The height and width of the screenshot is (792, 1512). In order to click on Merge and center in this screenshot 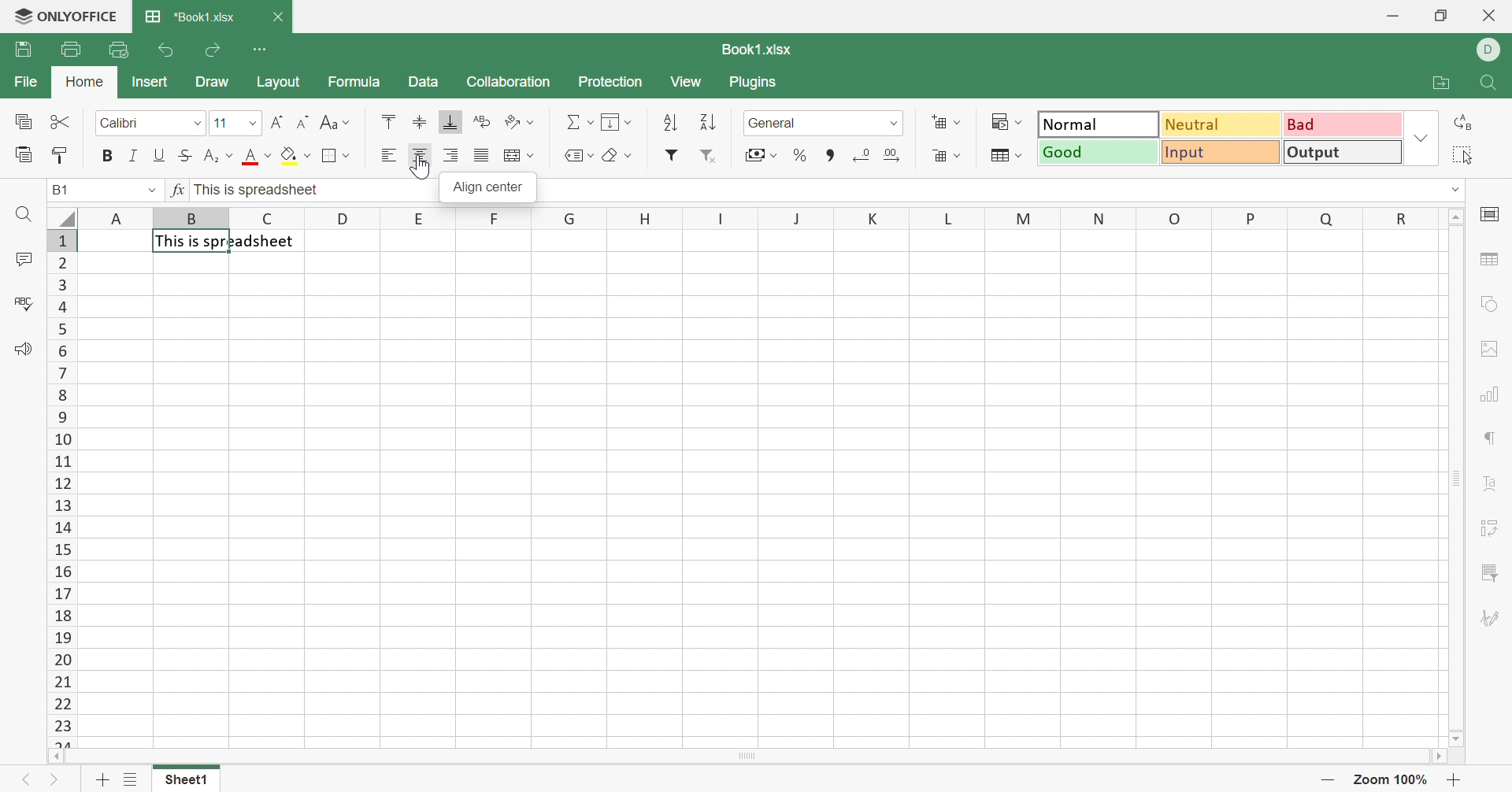, I will do `click(511, 155)`.